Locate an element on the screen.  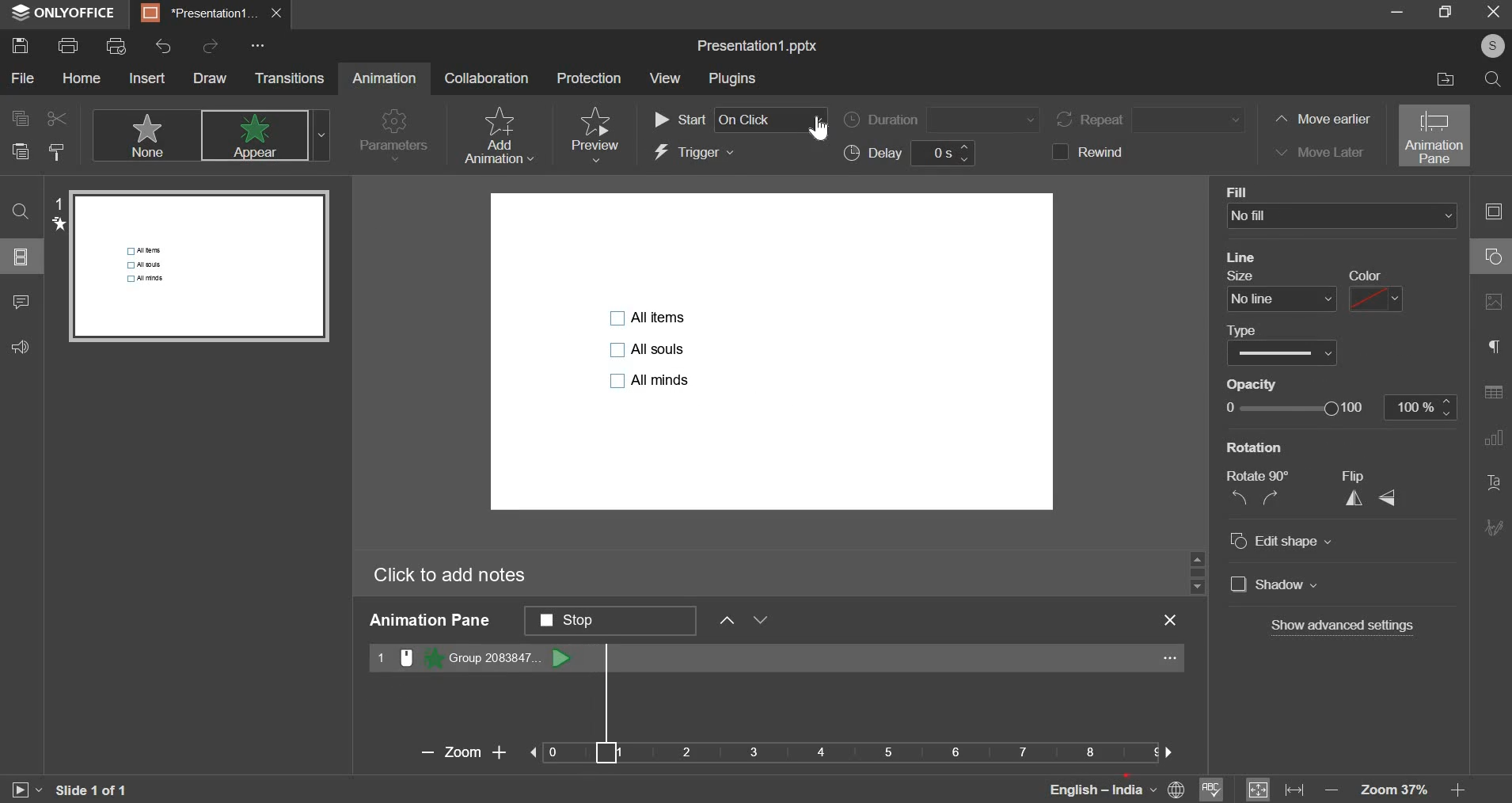
flip is located at coordinates (1370, 497).